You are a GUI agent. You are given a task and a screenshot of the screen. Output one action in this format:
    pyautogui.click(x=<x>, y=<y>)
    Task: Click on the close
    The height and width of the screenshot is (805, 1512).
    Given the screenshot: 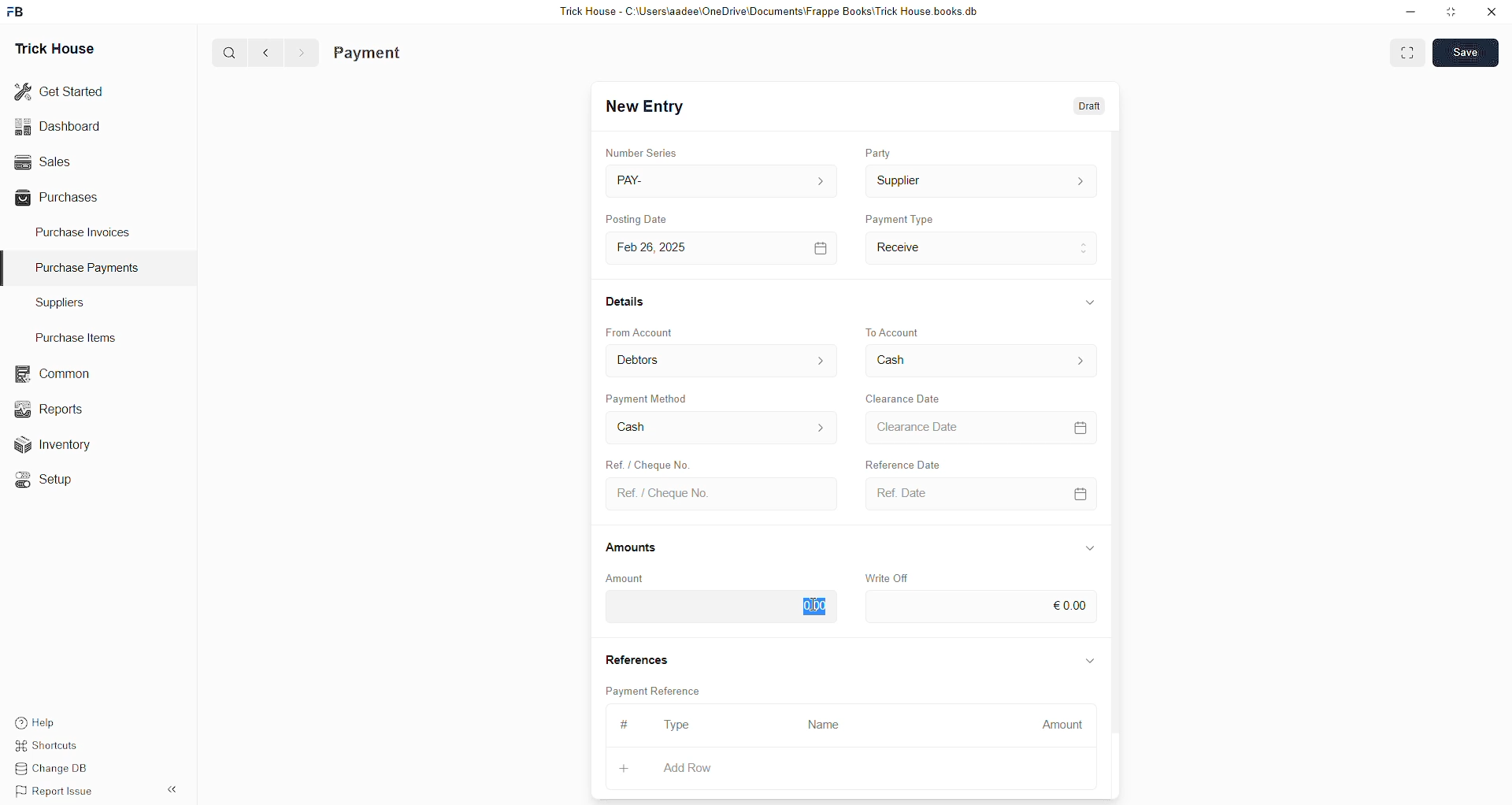 What is the action you would take?
    pyautogui.click(x=1492, y=12)
    